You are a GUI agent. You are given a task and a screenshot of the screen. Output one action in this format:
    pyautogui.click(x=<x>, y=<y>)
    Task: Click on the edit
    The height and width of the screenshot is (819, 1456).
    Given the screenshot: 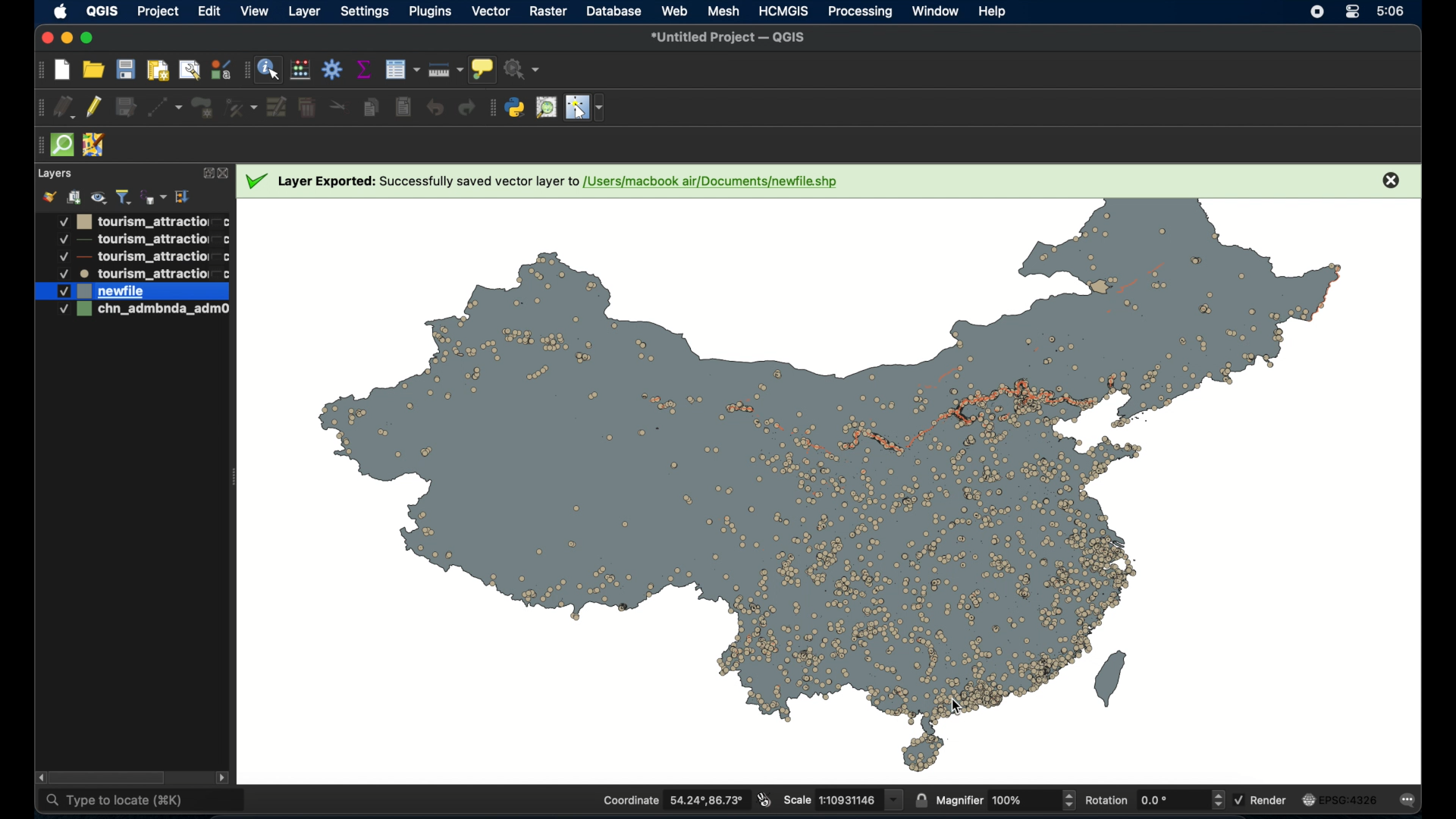 What is the action you would take?
    pyautogui.click(x=209, y=13)
    